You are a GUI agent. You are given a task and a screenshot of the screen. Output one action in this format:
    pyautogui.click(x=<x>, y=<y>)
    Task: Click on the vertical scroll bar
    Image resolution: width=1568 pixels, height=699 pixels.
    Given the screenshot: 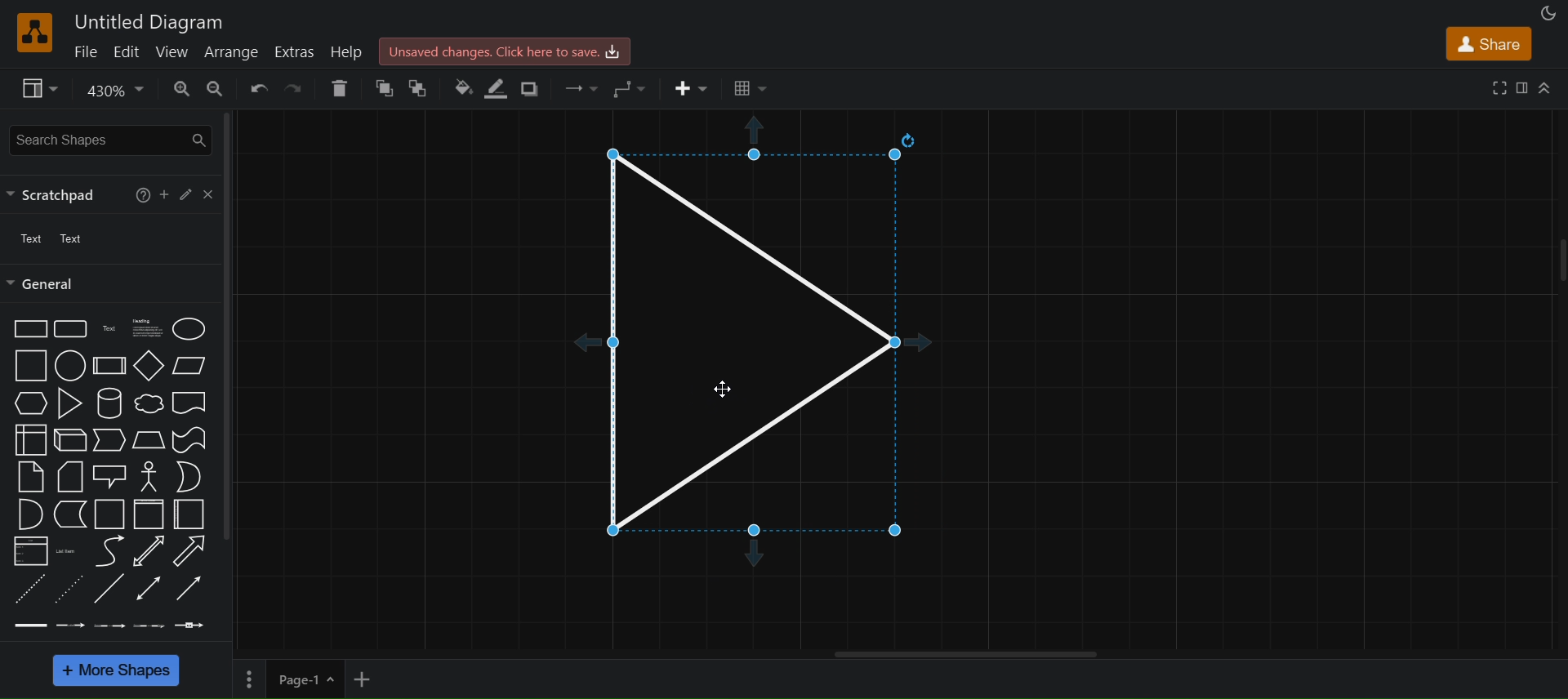 What is the action you would take?
    pyautogui.click(x=227, y=326)
    